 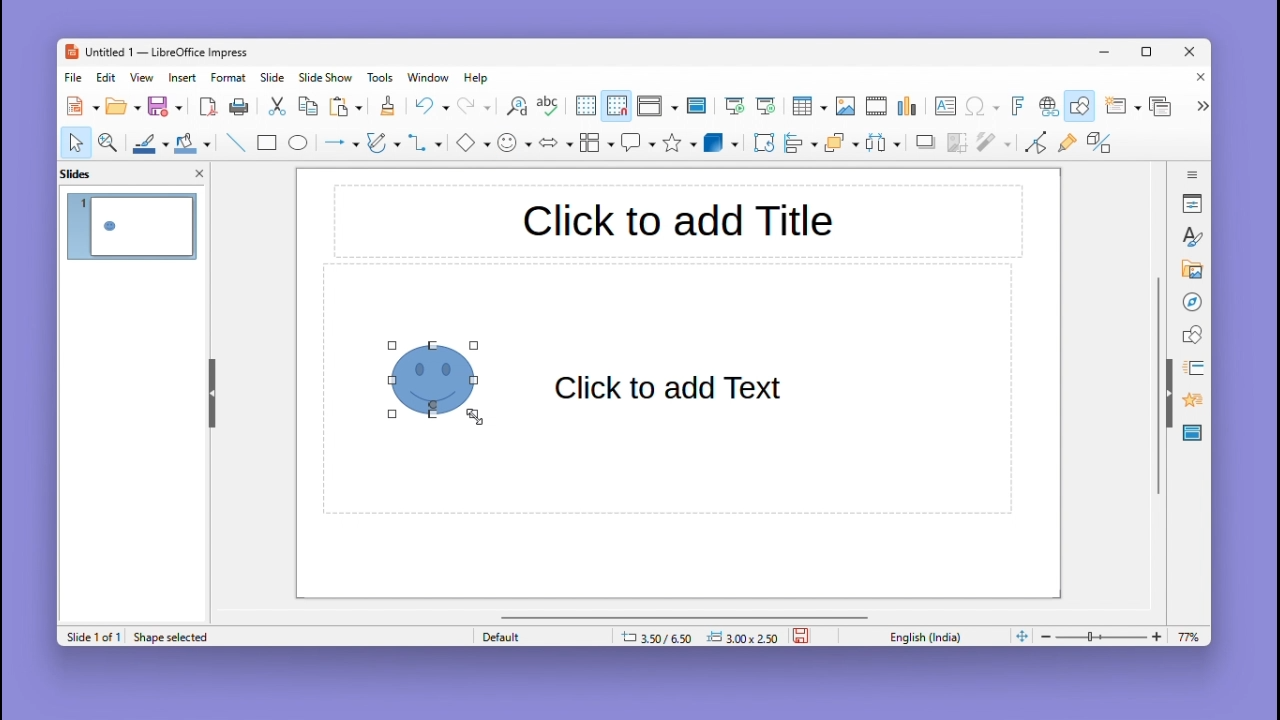 What do you see at coordinates (1163, 106) in the screenshot?
I see `Duplicate slide` at bounding box center [1163, 106].